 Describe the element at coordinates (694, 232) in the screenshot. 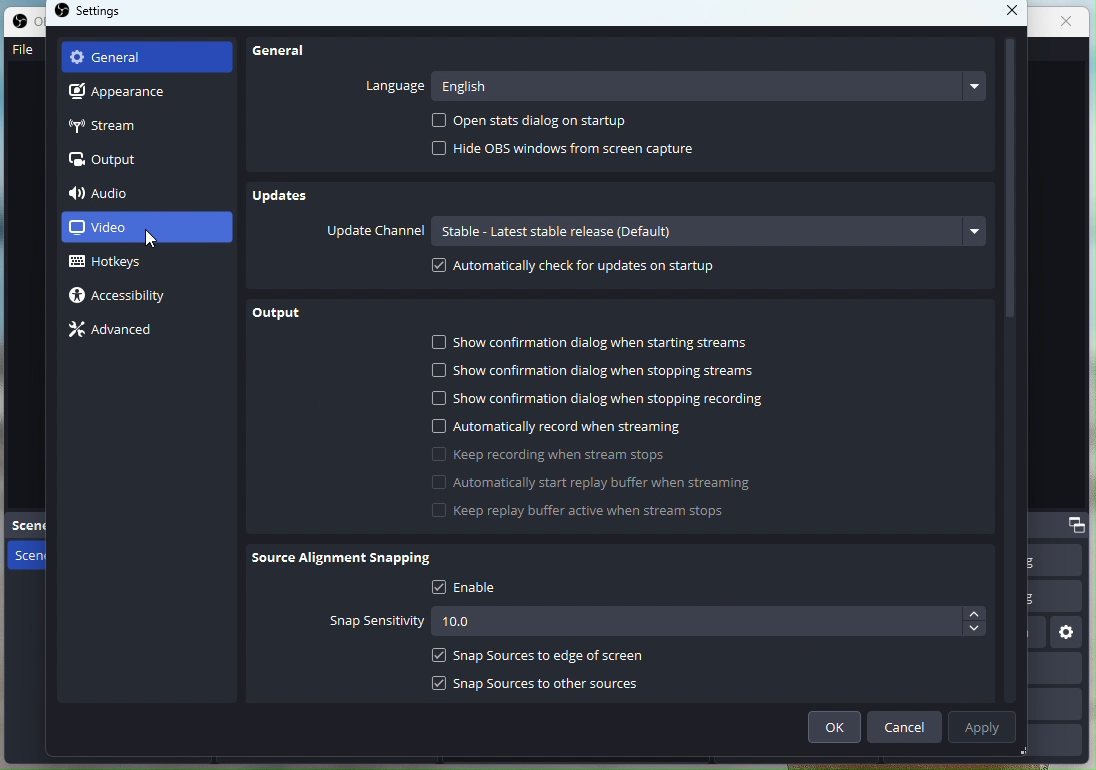

I see `Stable - Latest stable release (default)` at that location.